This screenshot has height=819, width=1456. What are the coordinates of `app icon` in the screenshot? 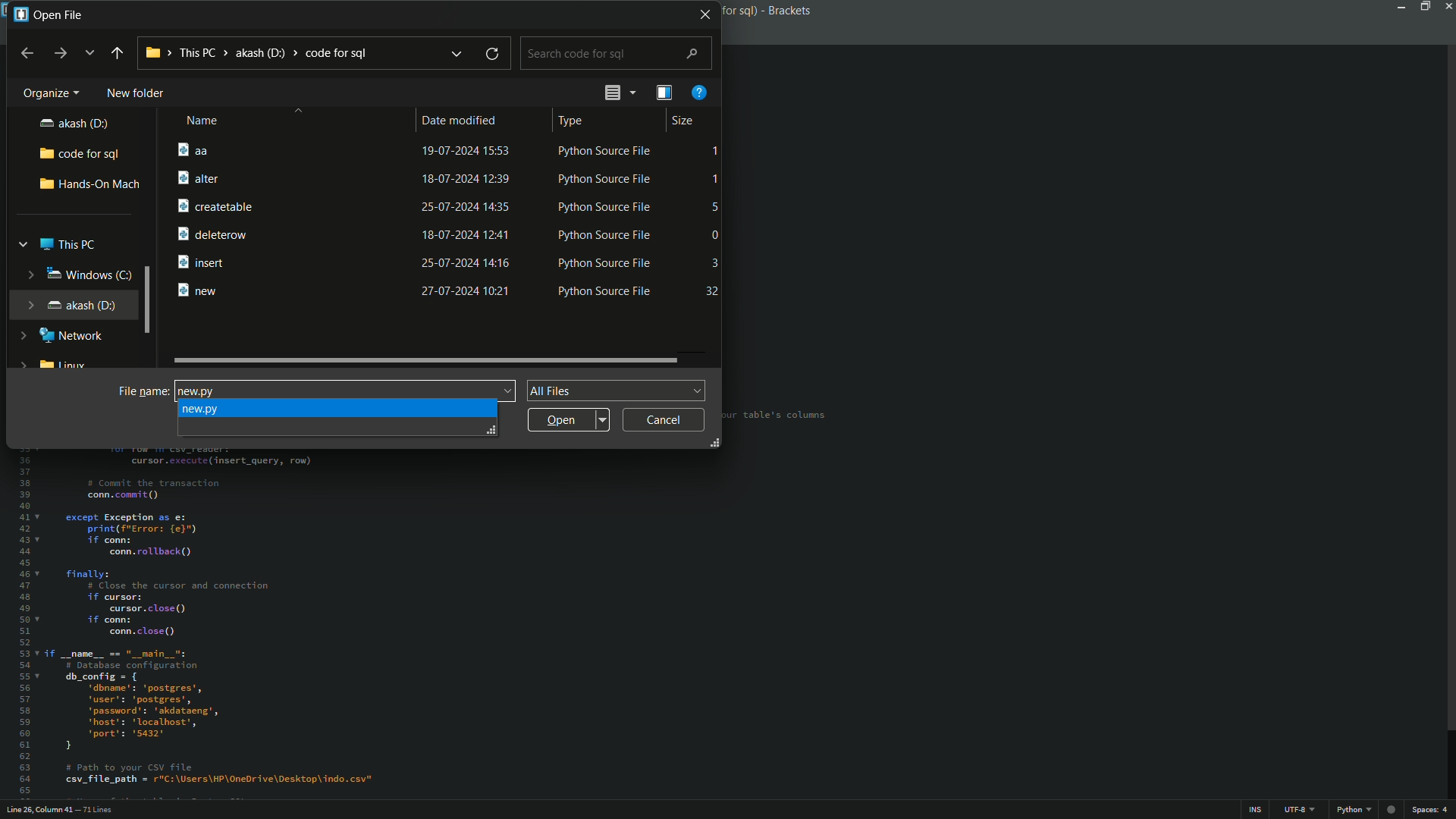 It's located at (19, 16).